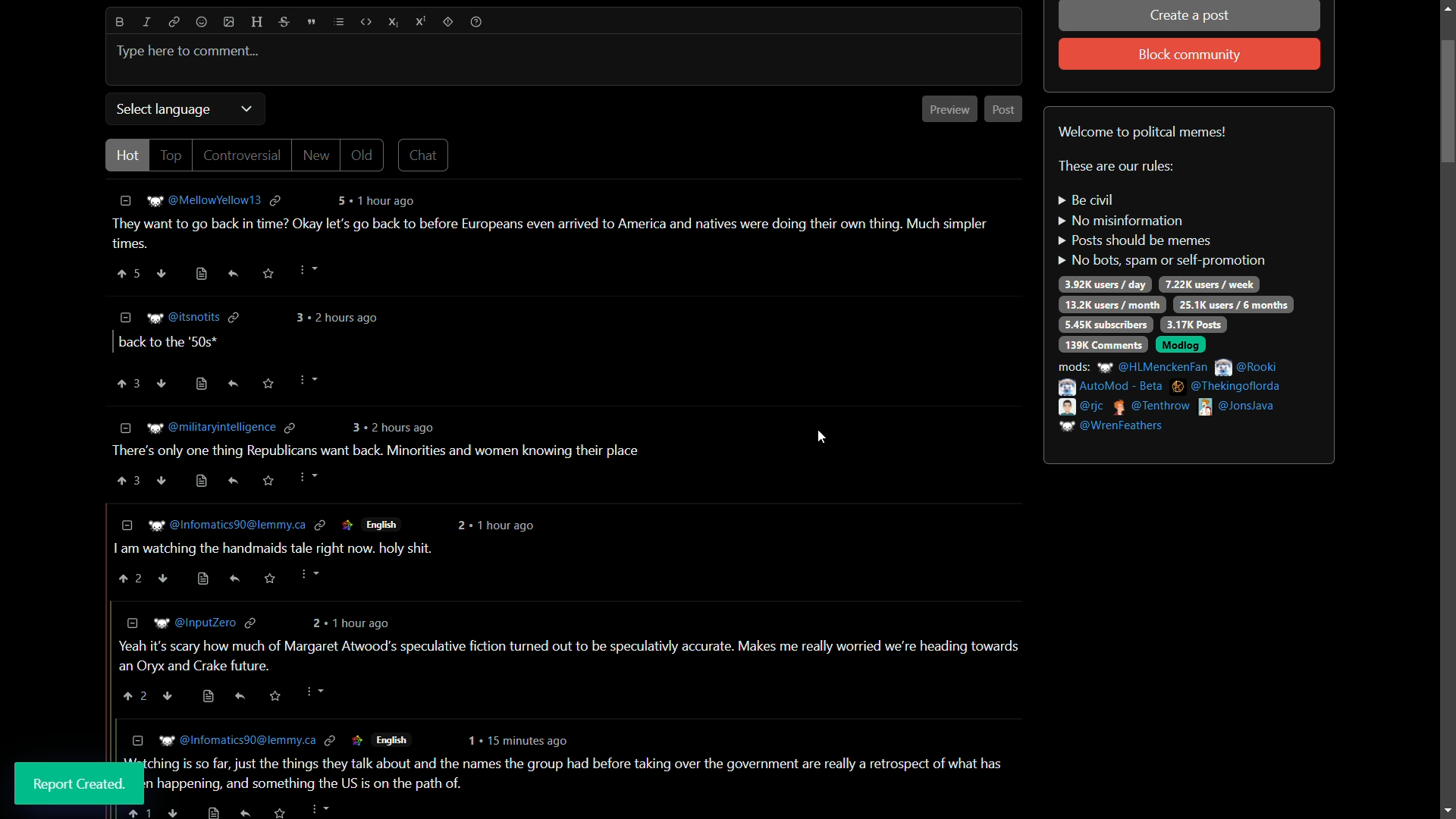 Image resolution: width=1456 pixels, height=819 pixels. What do you see at coordinates (337, 22) in the screenshot?
I see `list` at bounding box center [337, 22].